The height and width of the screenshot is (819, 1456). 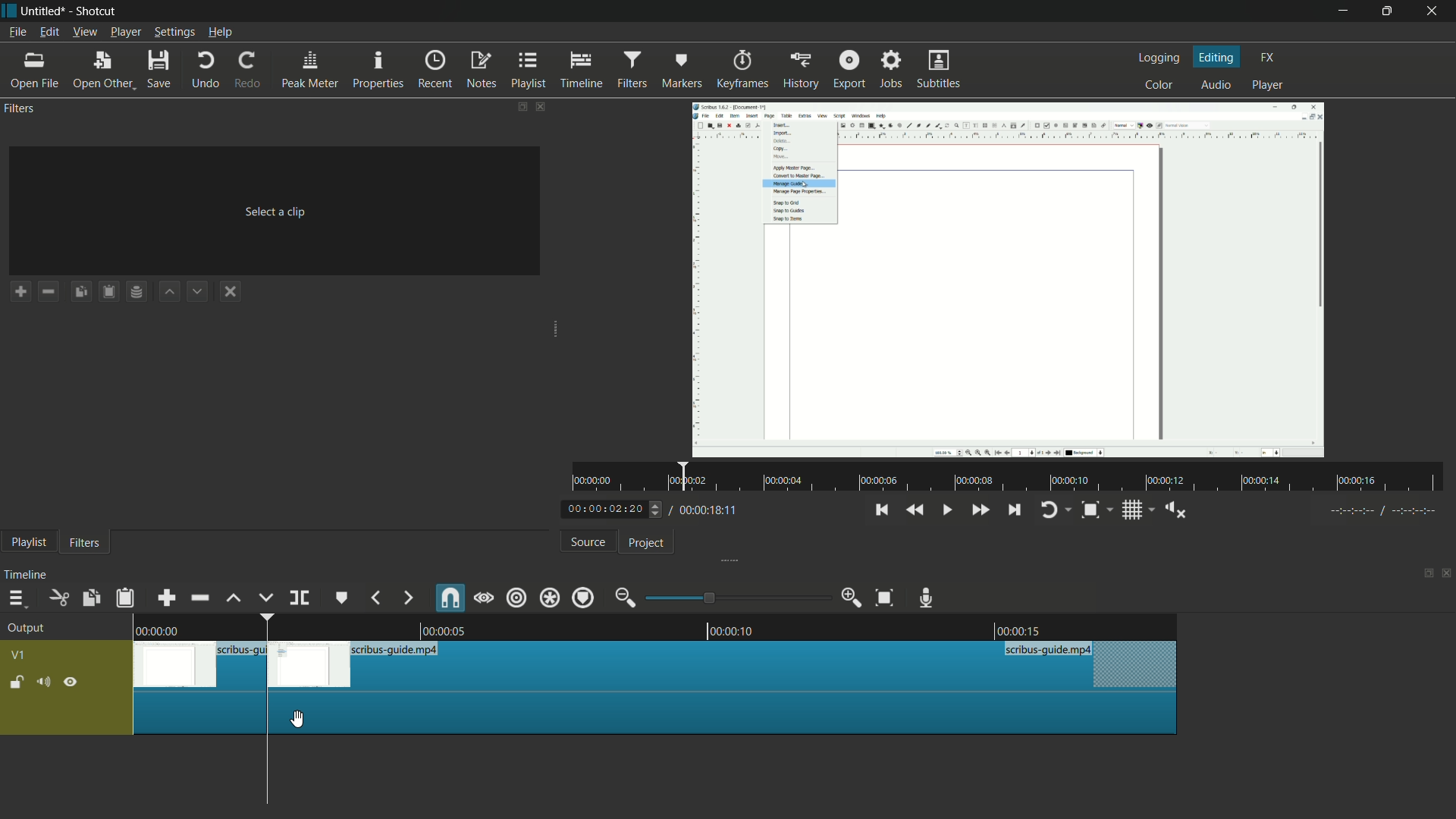 What do you see at coordinates (376, 597) in the screenshot?
I see `previous marker` at bounding box center [376, 597].